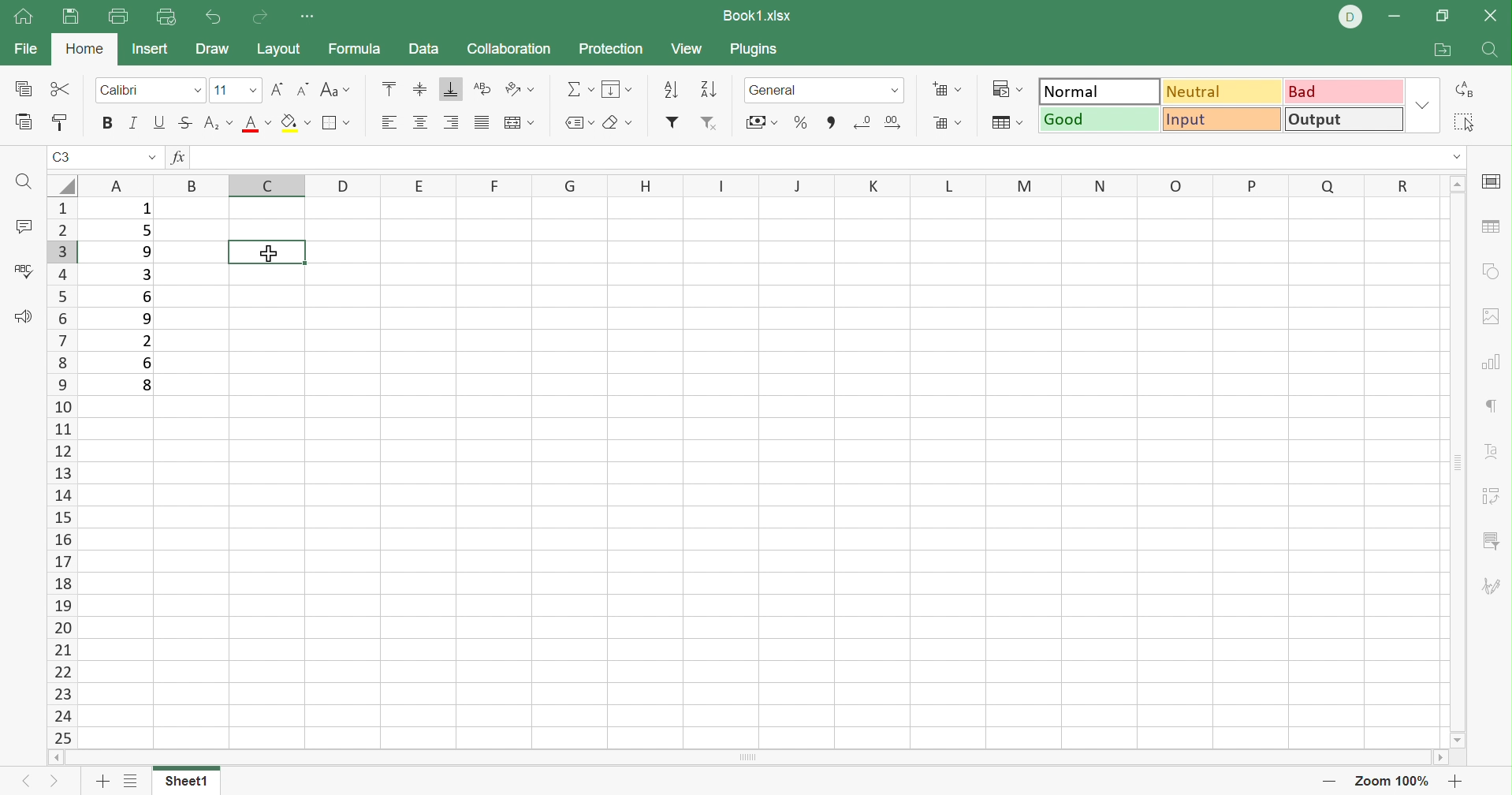 This screenshot has width=1512, height=795. Describe the element at coordinates (1462, 461) in the screenshot. I see `Scroll Bar` at that location.